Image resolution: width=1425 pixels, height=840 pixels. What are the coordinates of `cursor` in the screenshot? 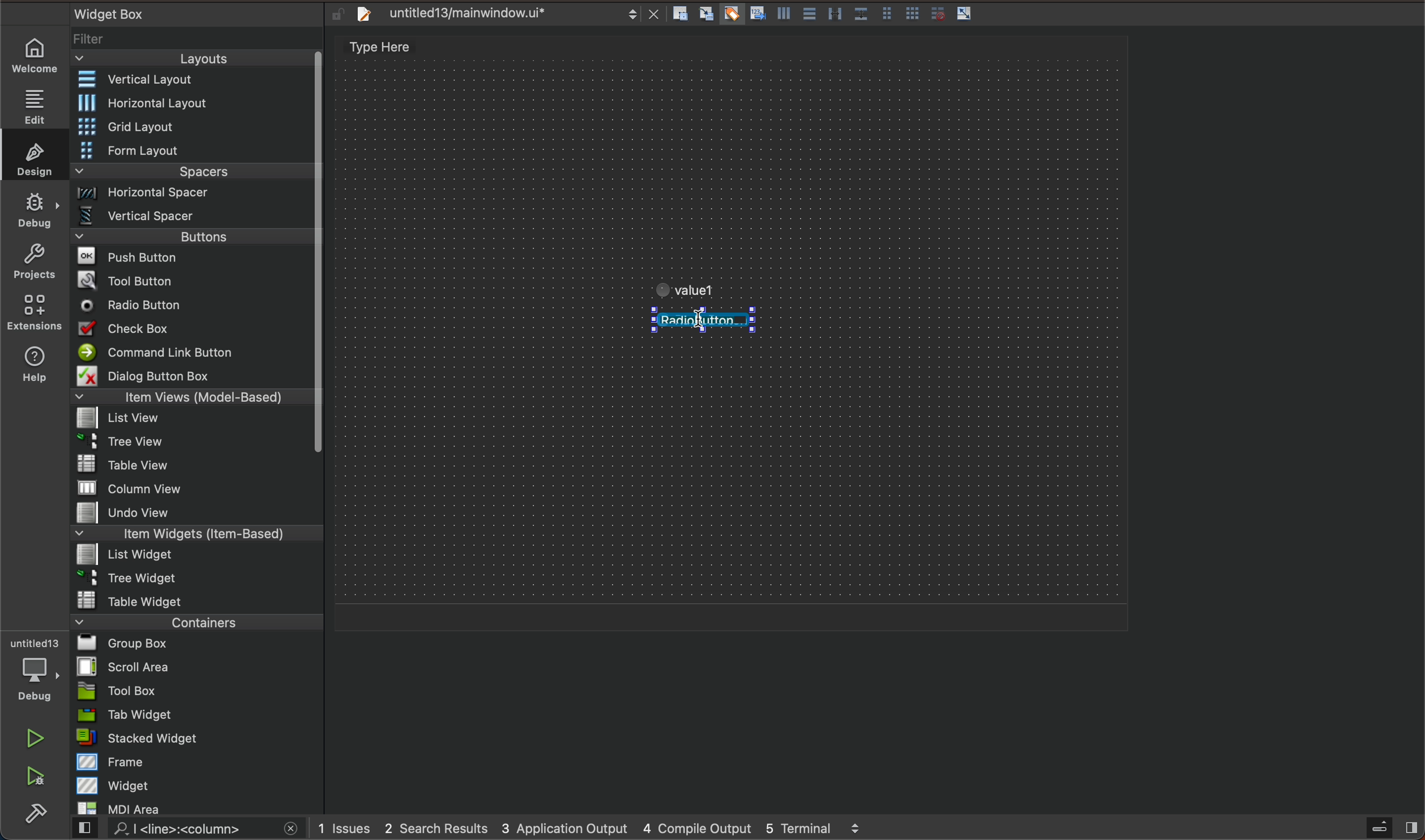 It's located at (697, 323).